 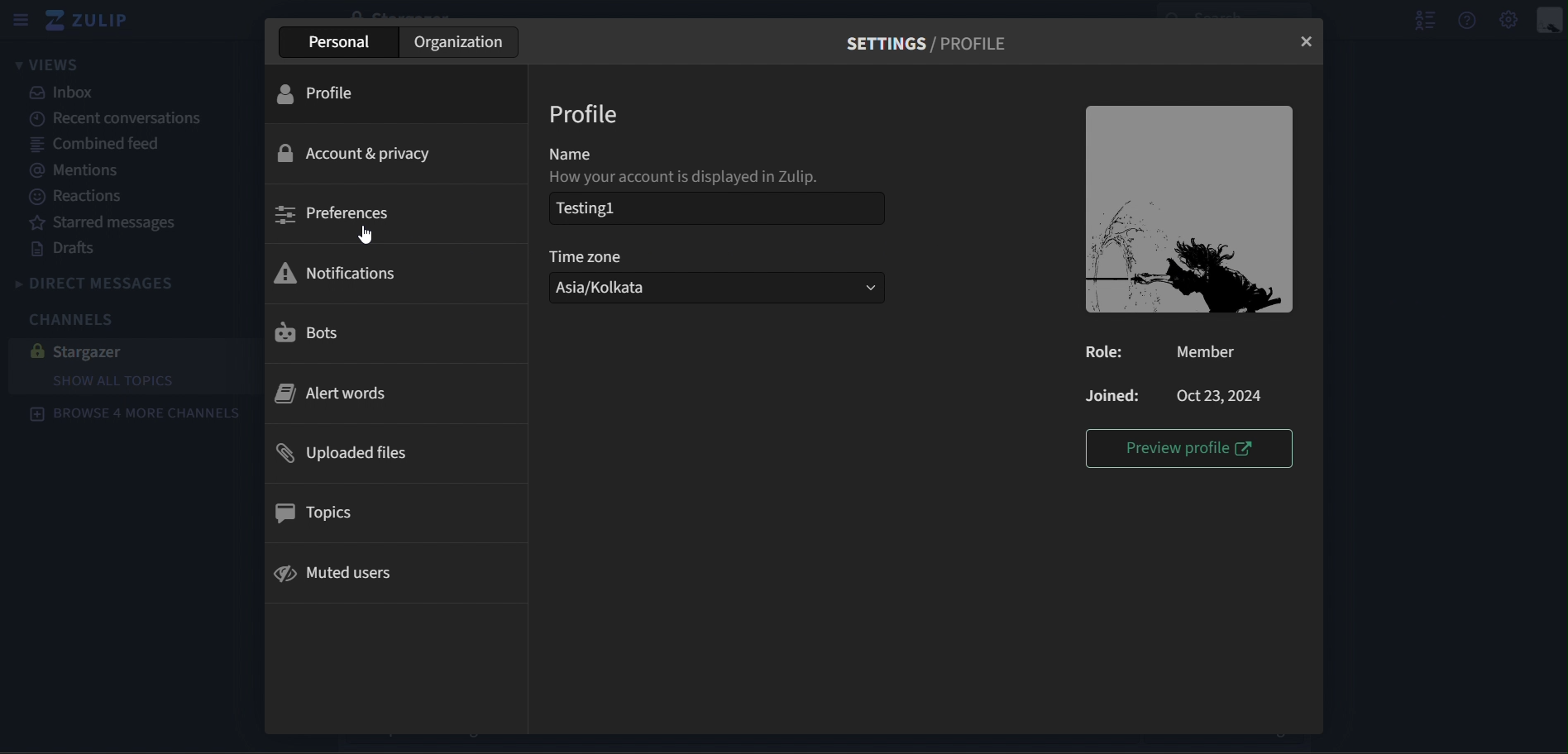 What do you see at coordinates (70, 93) in the screenshot?
I see `inbox` at bounding box center [70, 93].